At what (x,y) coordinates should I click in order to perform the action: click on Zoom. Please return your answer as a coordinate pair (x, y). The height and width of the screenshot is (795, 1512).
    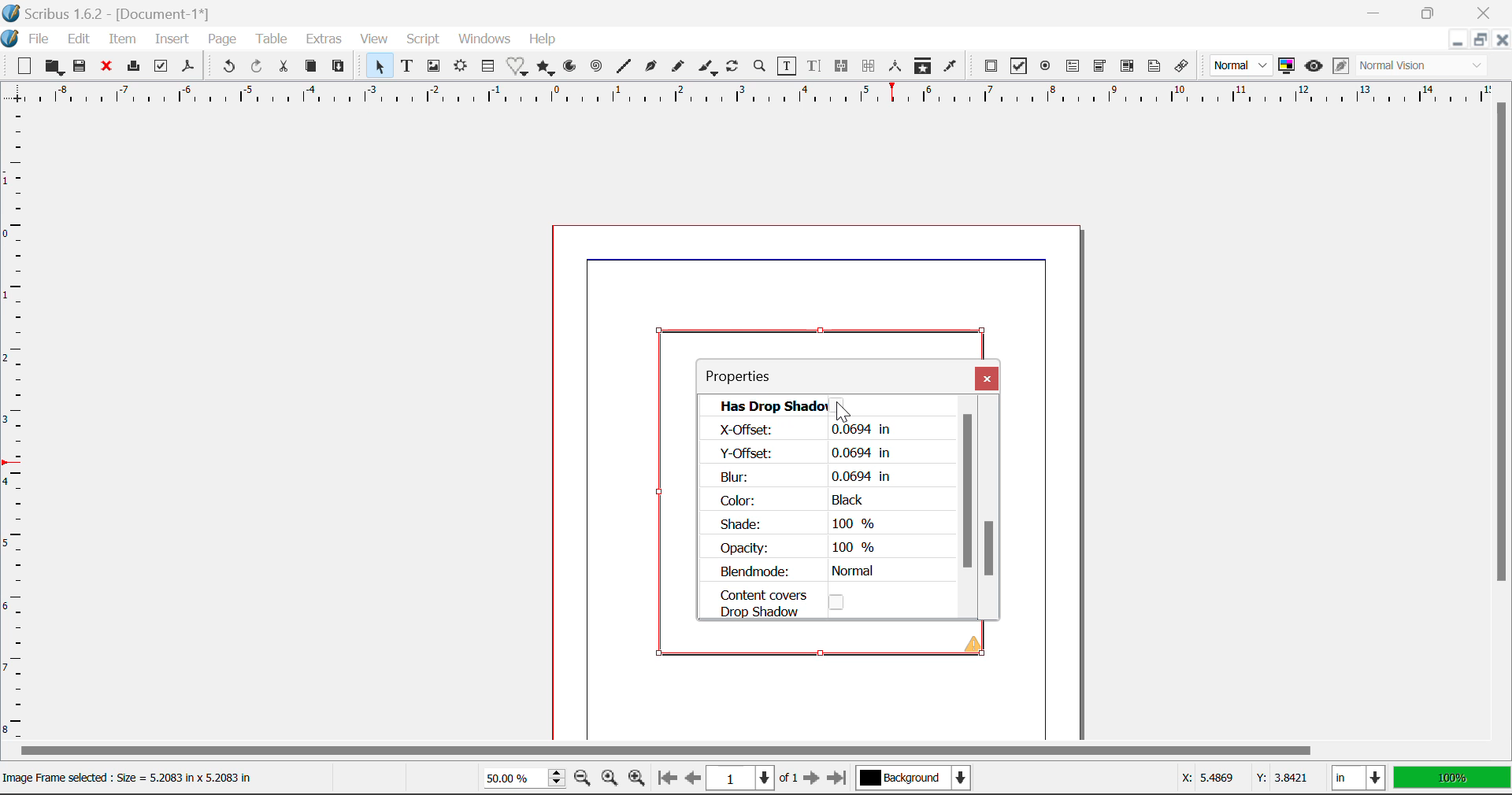
    Looking at the image, I should click on (762, 68).